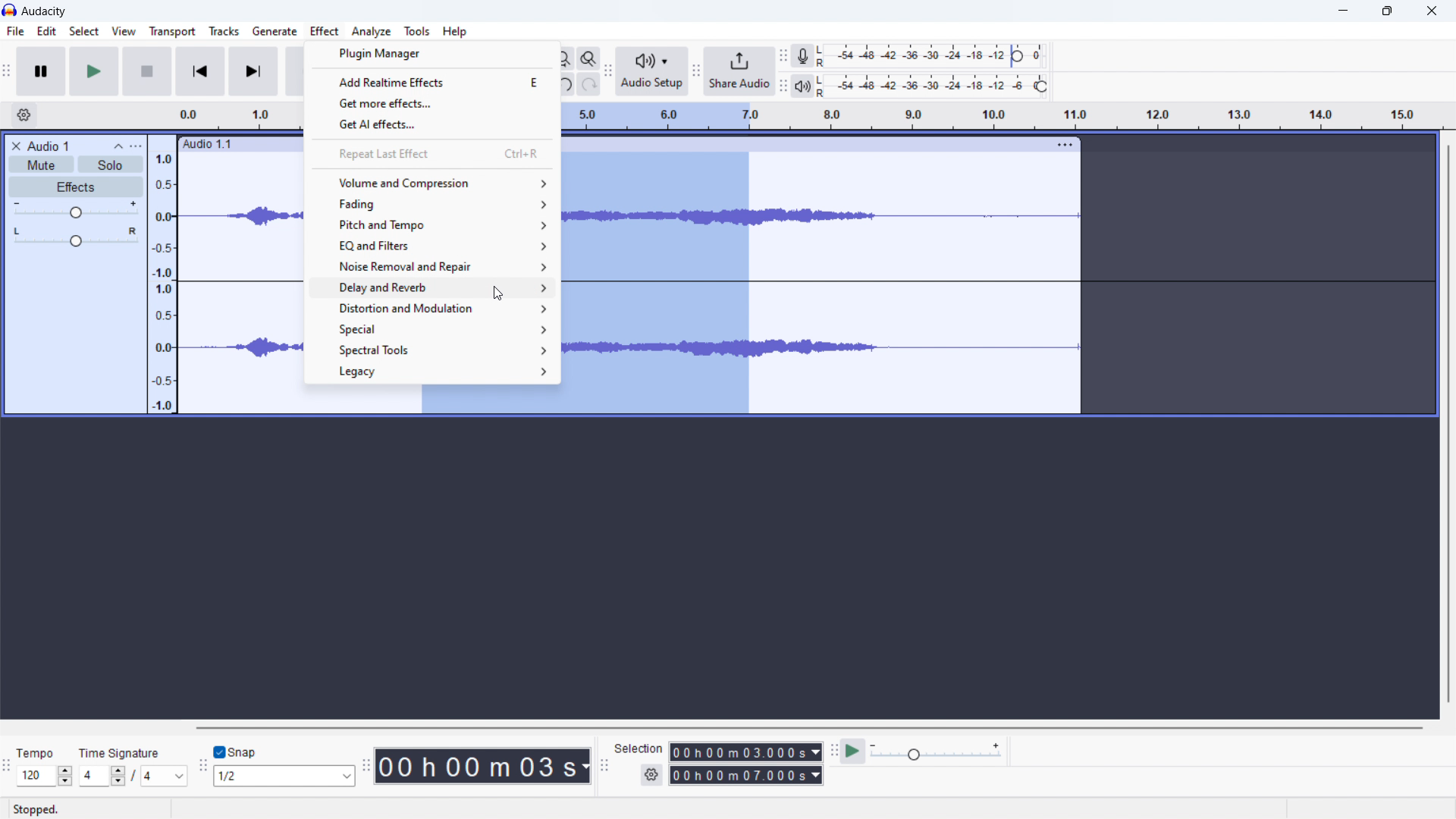  What do you see at coordinates (429, 226) in the screenshot?
I see `pitch and tempo` at bounding box center [429, 226].